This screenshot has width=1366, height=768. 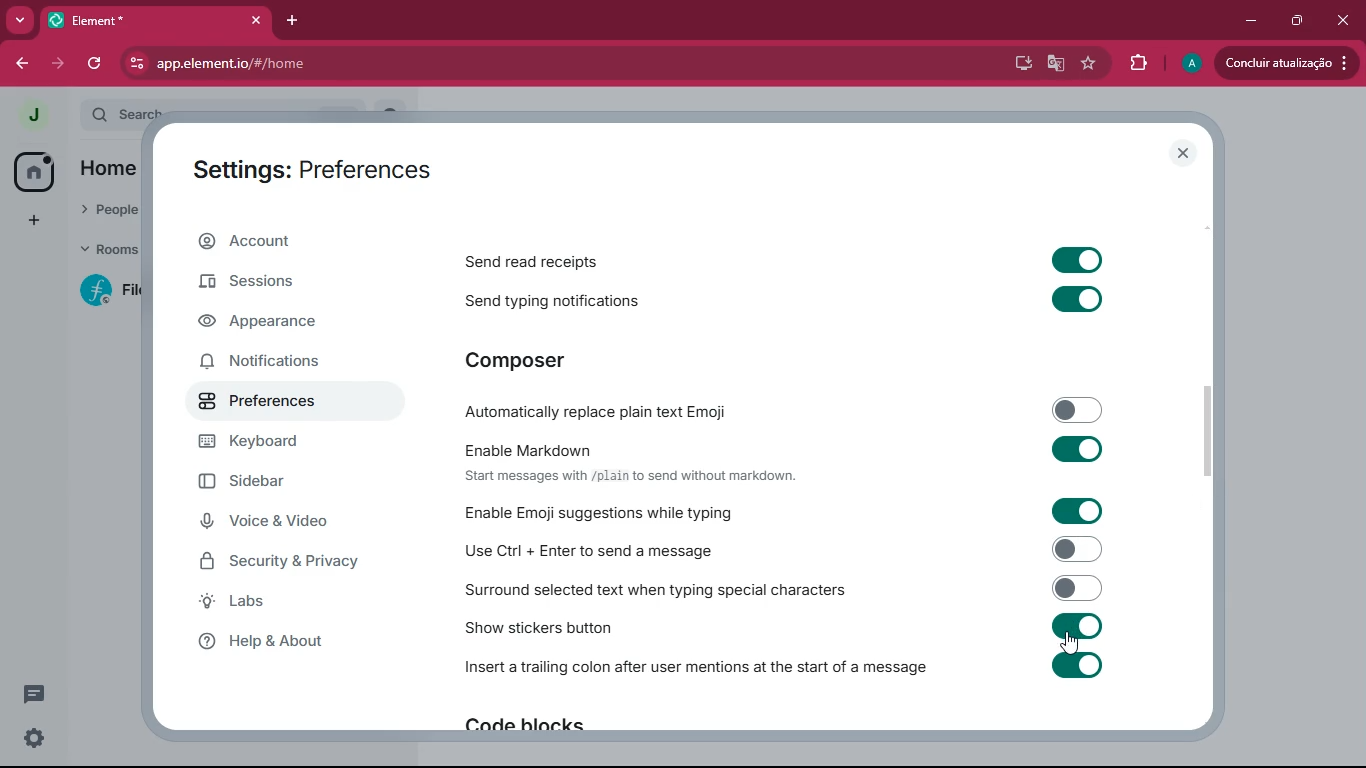 What do you see at coordinates (124, 112) in the screenshot?
I see `search ctrl` at bounding box center [124, 112].